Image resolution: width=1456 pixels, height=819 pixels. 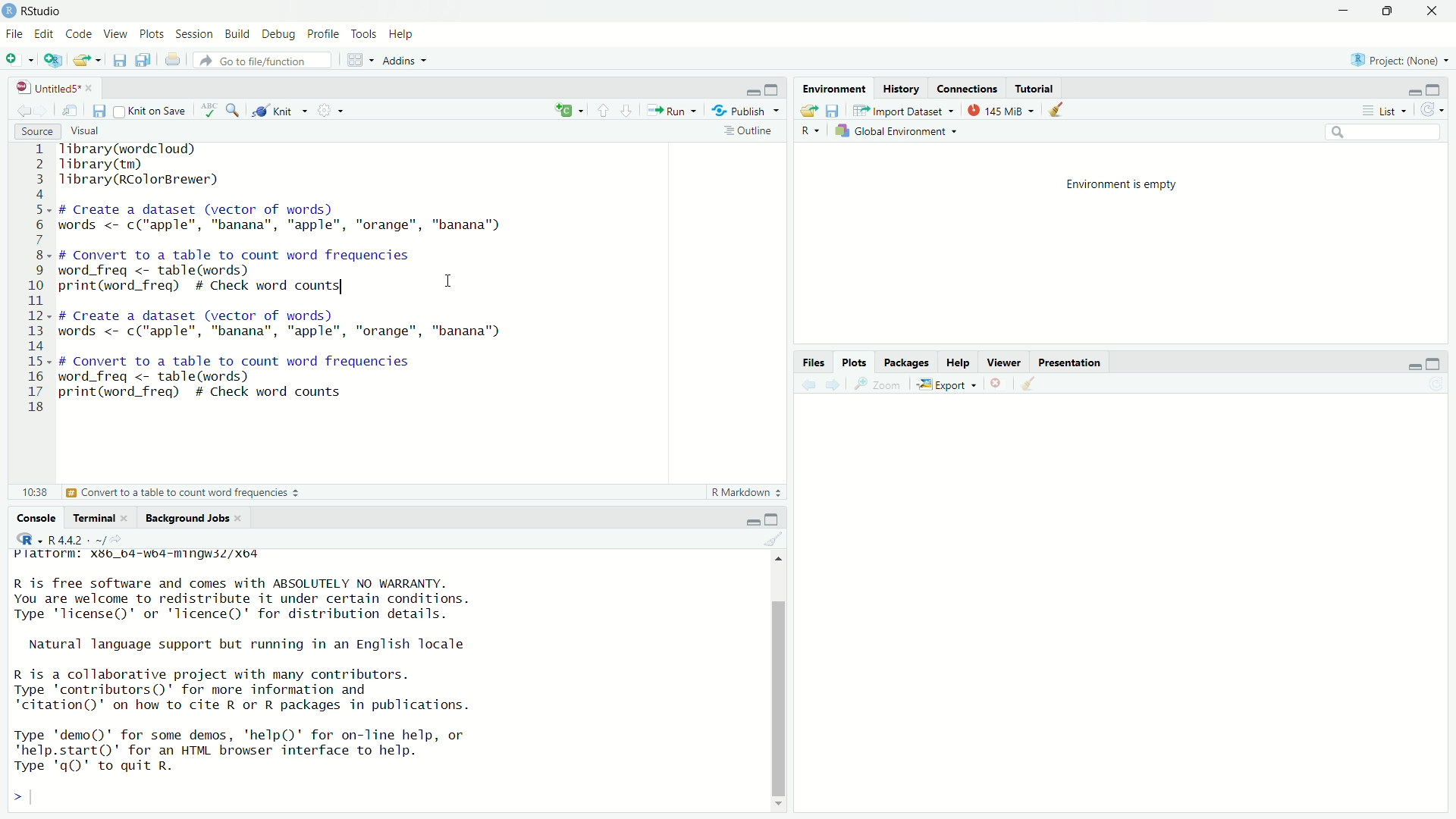 What do you see at coordinates (1069, 361) in the screenshot?
I see `Presentation` at bounding box center [1069, 361].